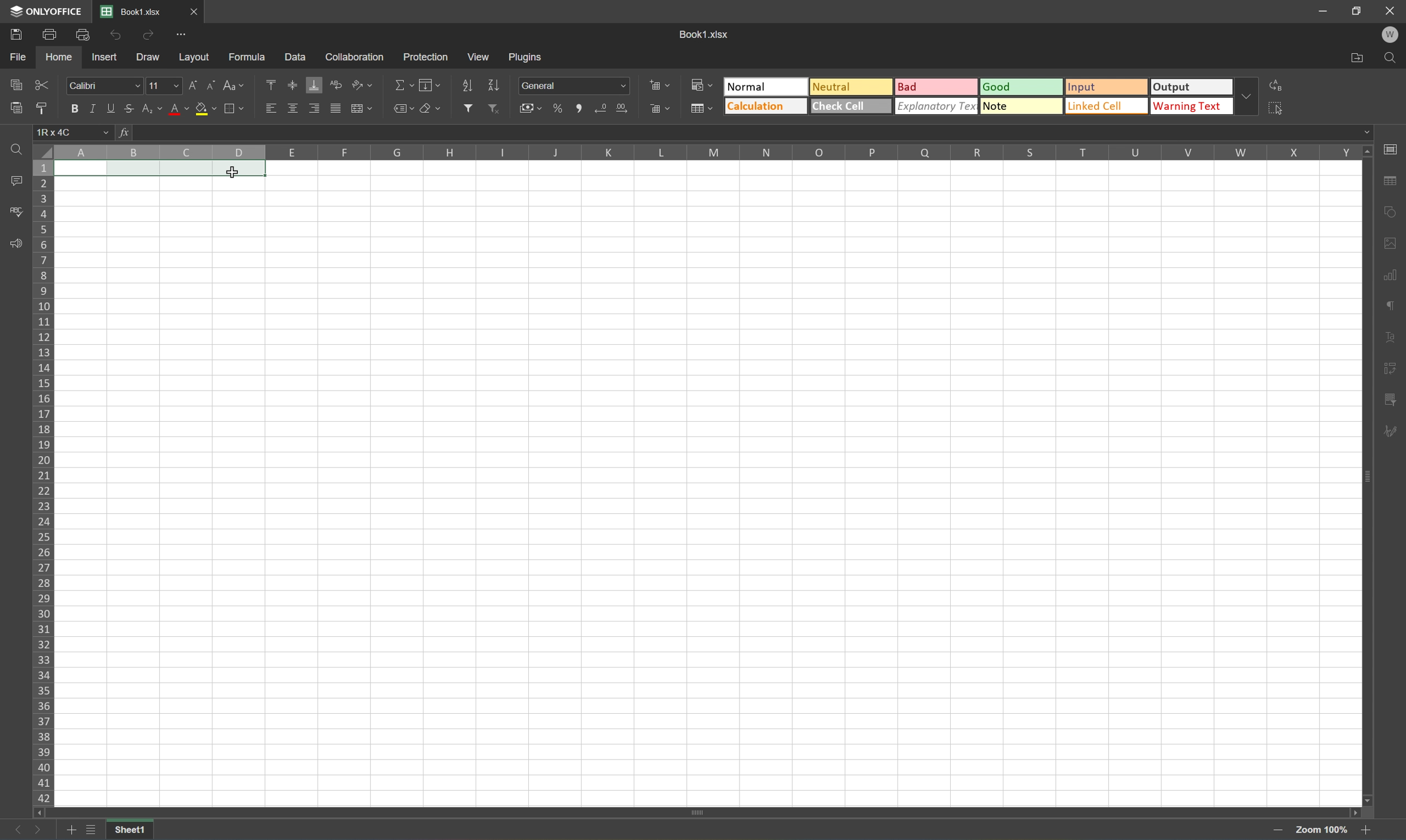 This screenshot has height=840, width=1406. I want to click on Data, so click(293, 54).